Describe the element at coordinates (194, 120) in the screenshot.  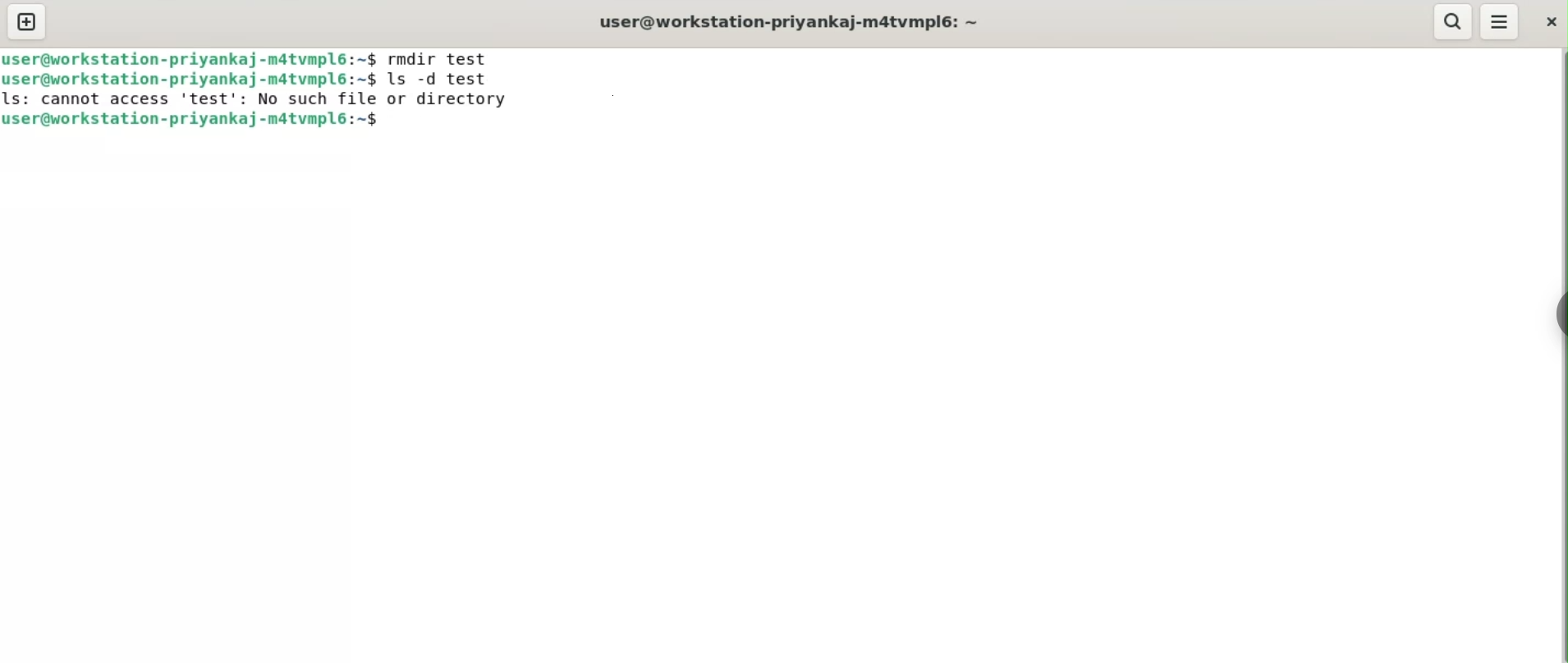
I see `user@workstation-priyankaj-m4tvmpl6: ~$` at that location.